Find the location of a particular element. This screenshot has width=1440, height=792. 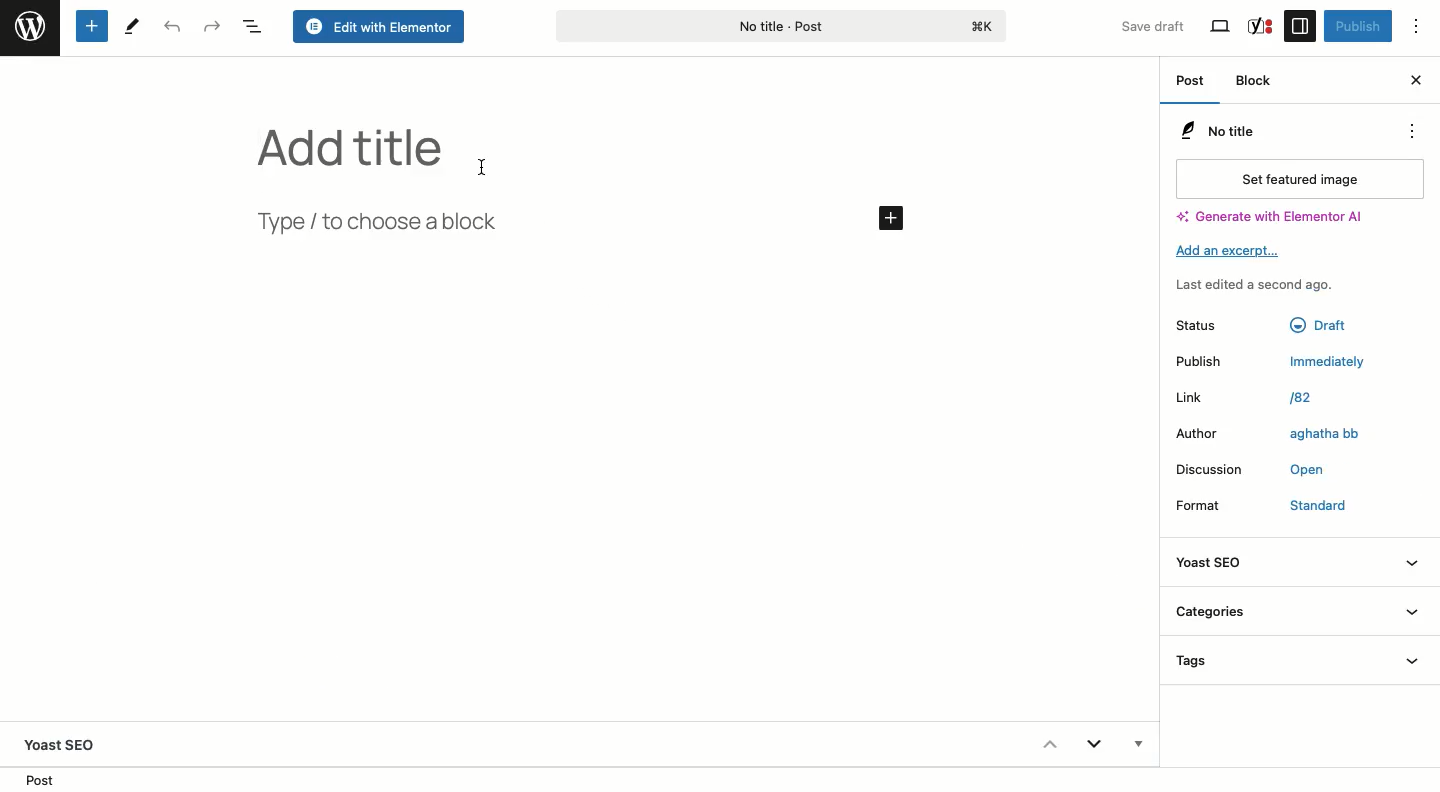

Post is located at coordinates (46, 779).